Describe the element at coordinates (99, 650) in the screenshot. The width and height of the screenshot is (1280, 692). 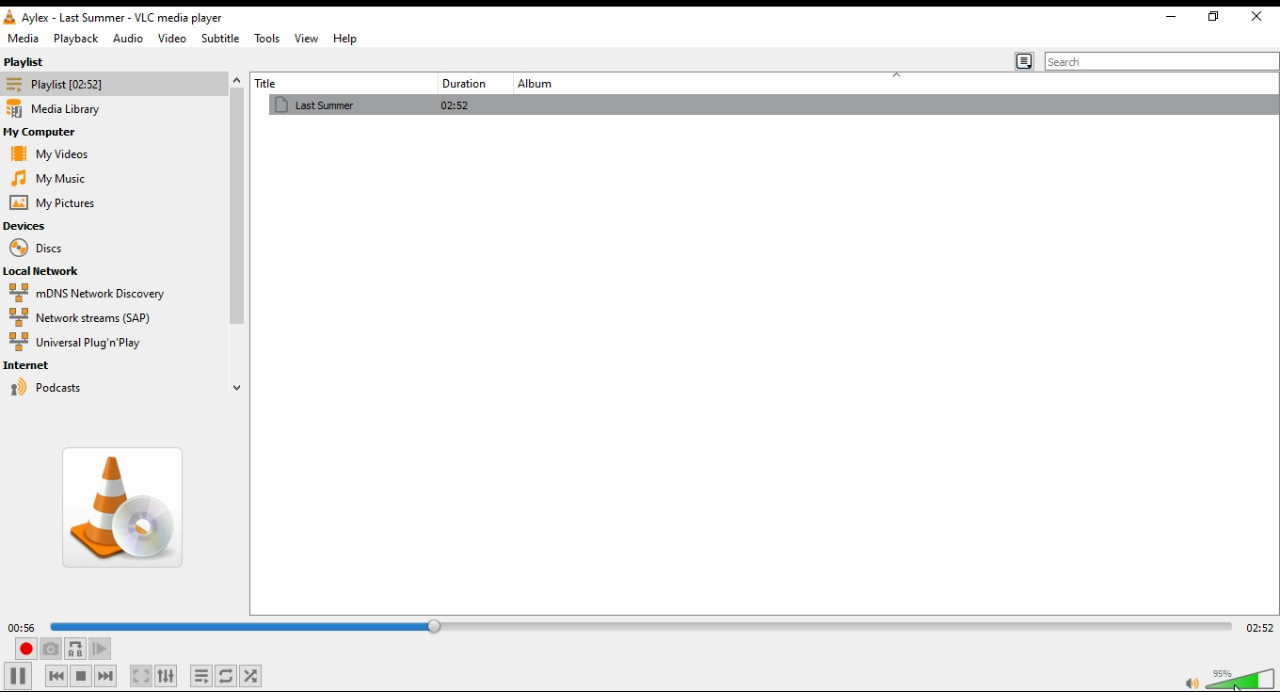
I see `frame by frame` at that location.